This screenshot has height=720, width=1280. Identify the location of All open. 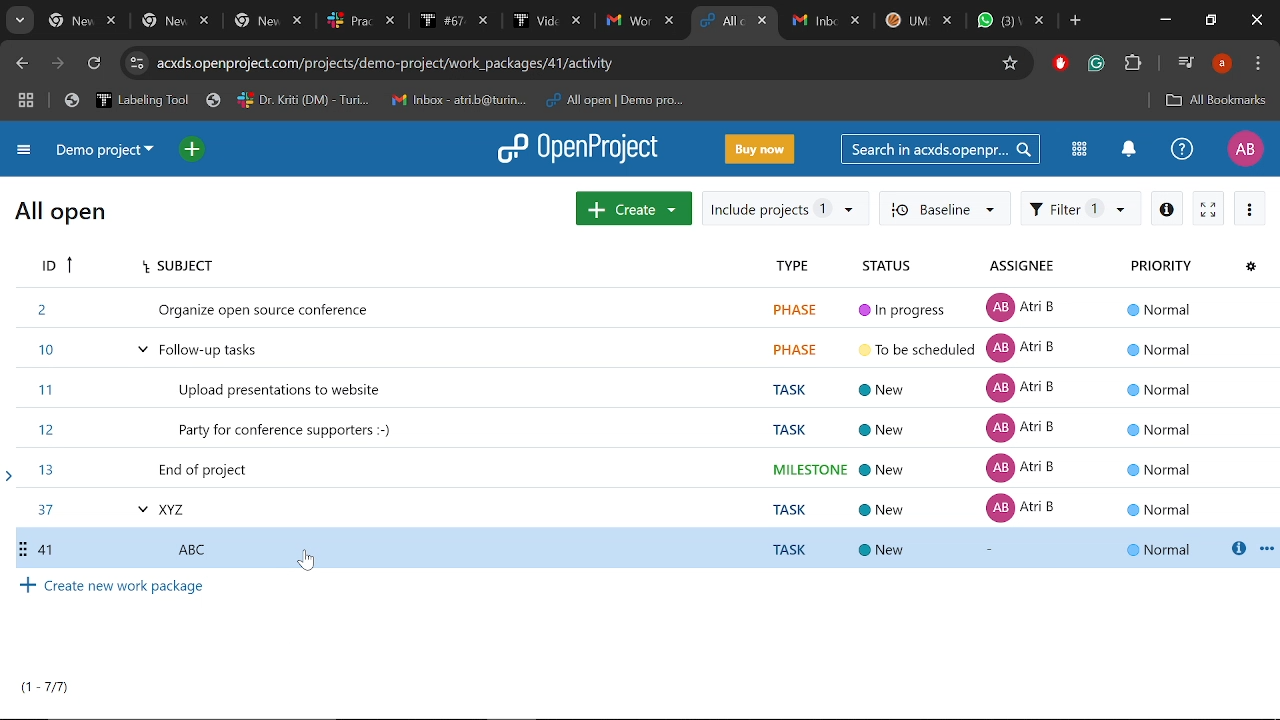
(64, 214).